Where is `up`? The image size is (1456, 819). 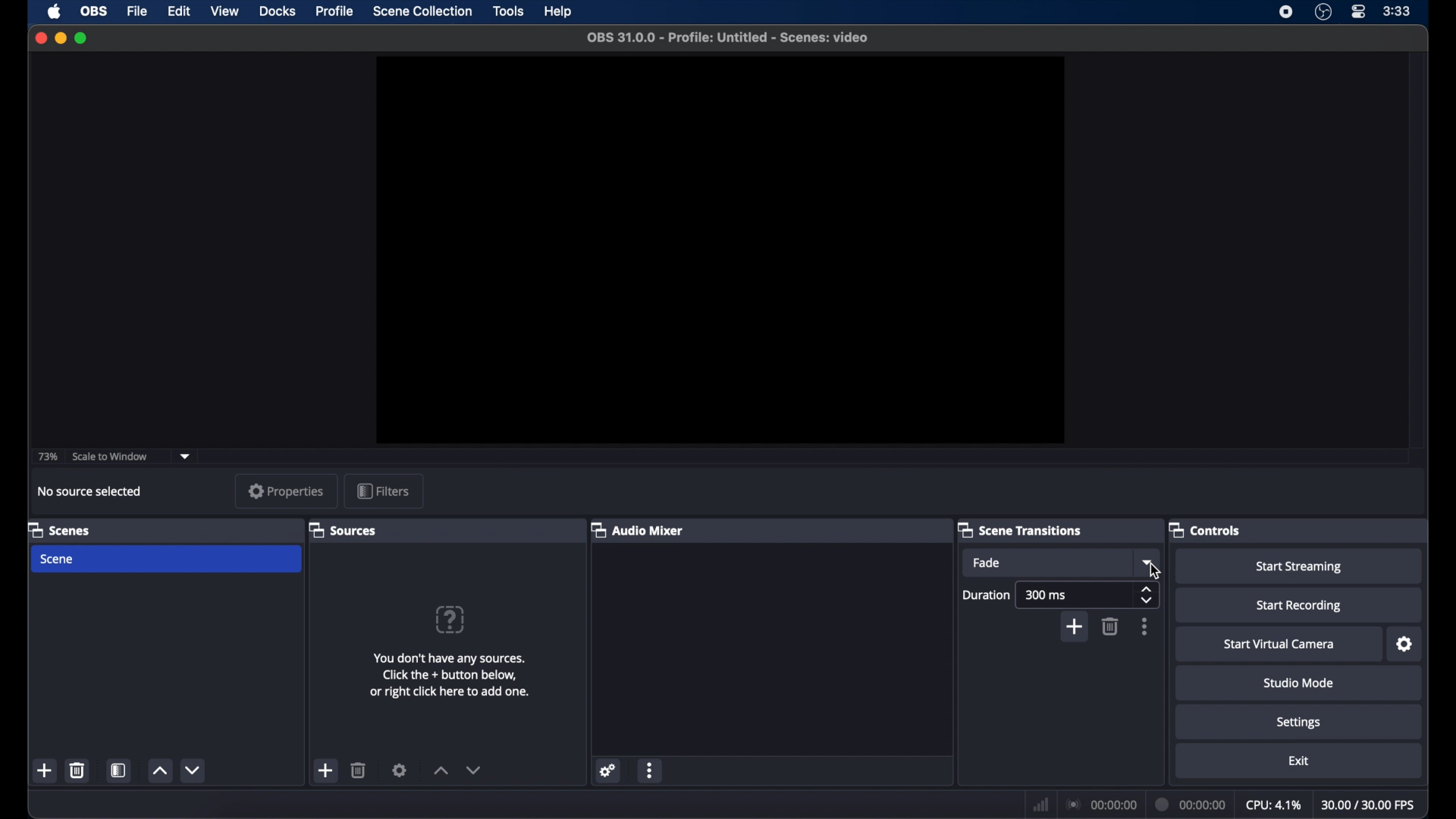 up is located at coordinates (159, 771).